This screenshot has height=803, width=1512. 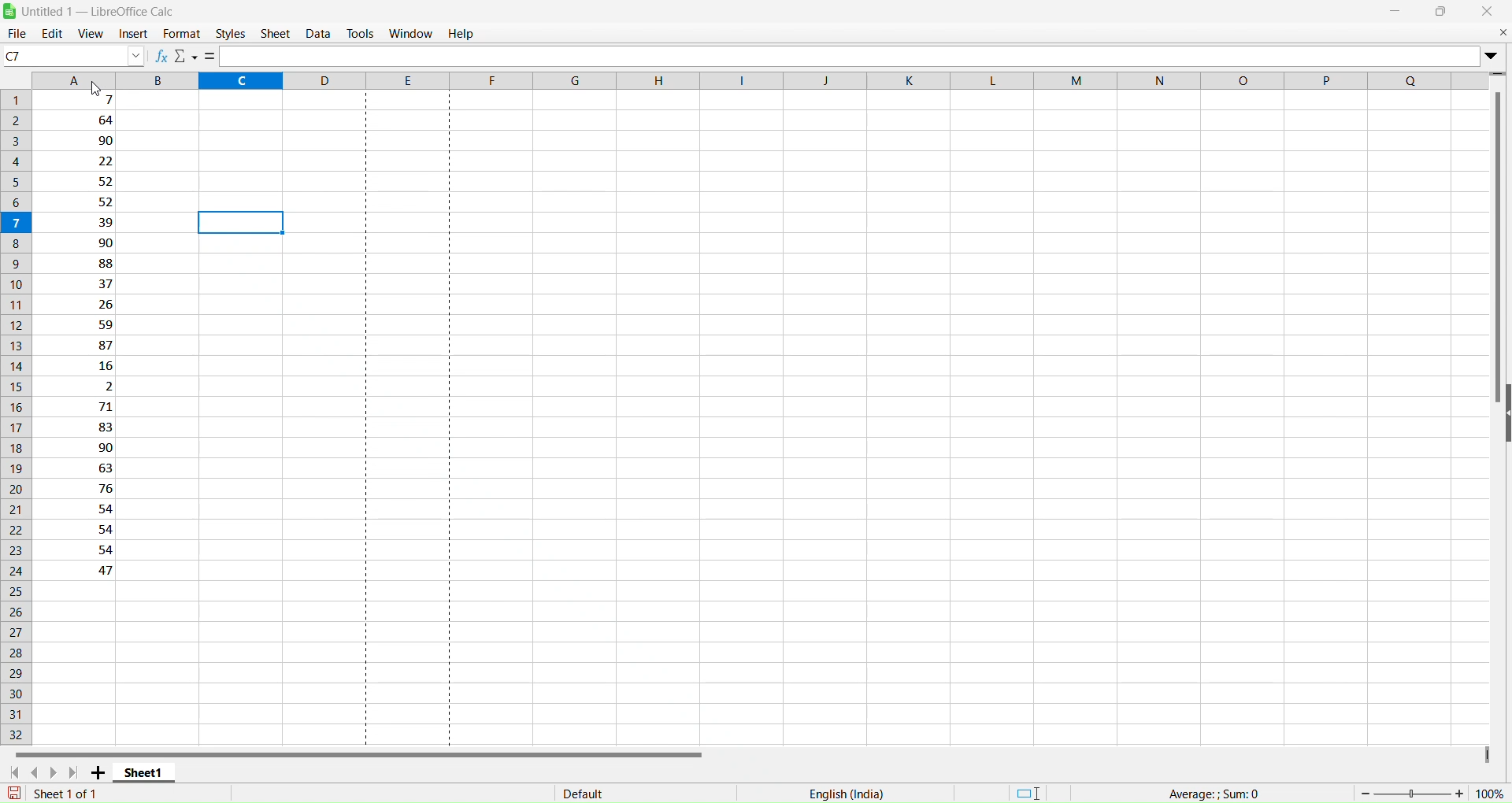 What do you see at coordinates (101, 772) in the screenshot?
I see `Add` at bounding box center [101, 772].